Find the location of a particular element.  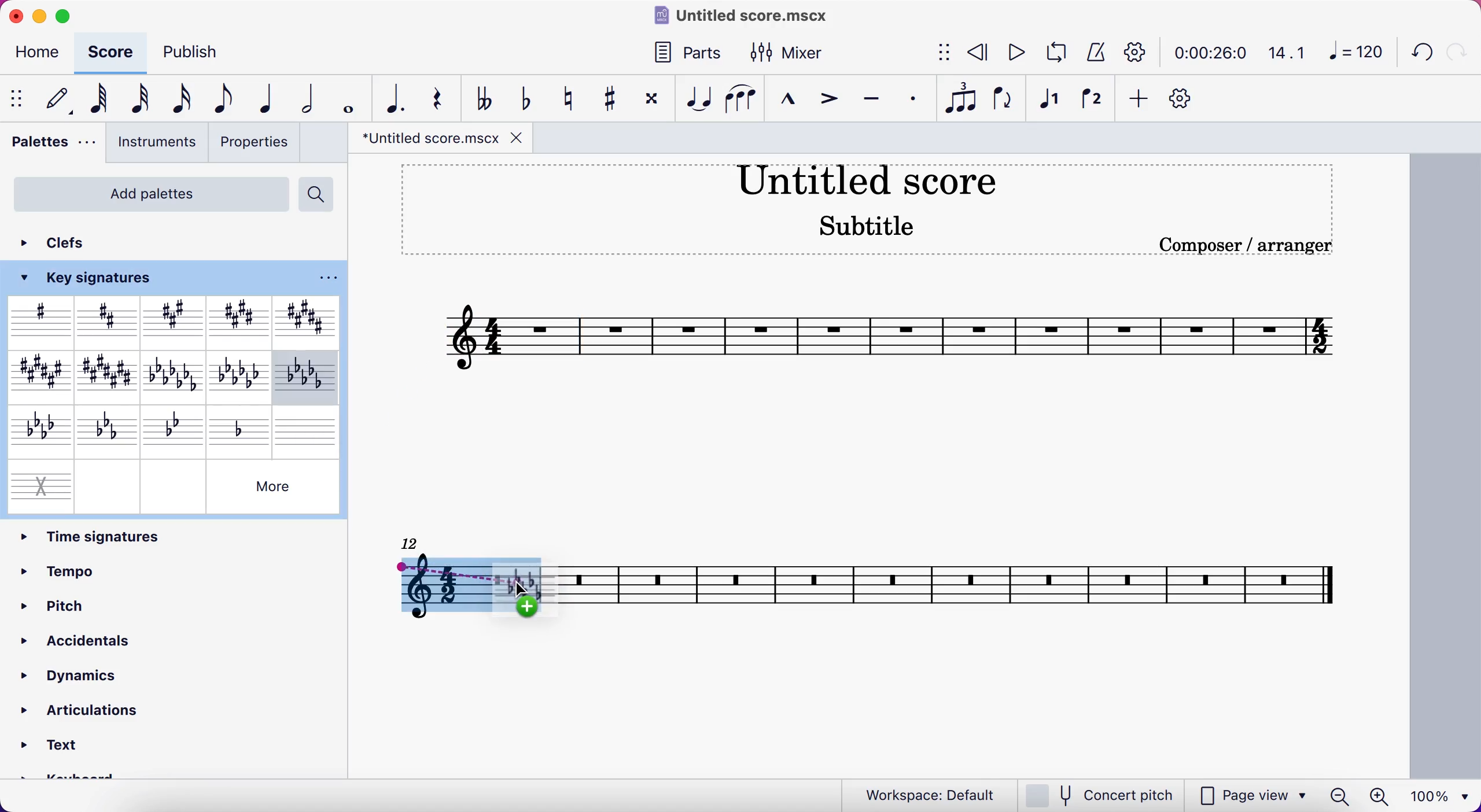

articulations is located at coordinates (82, 713).